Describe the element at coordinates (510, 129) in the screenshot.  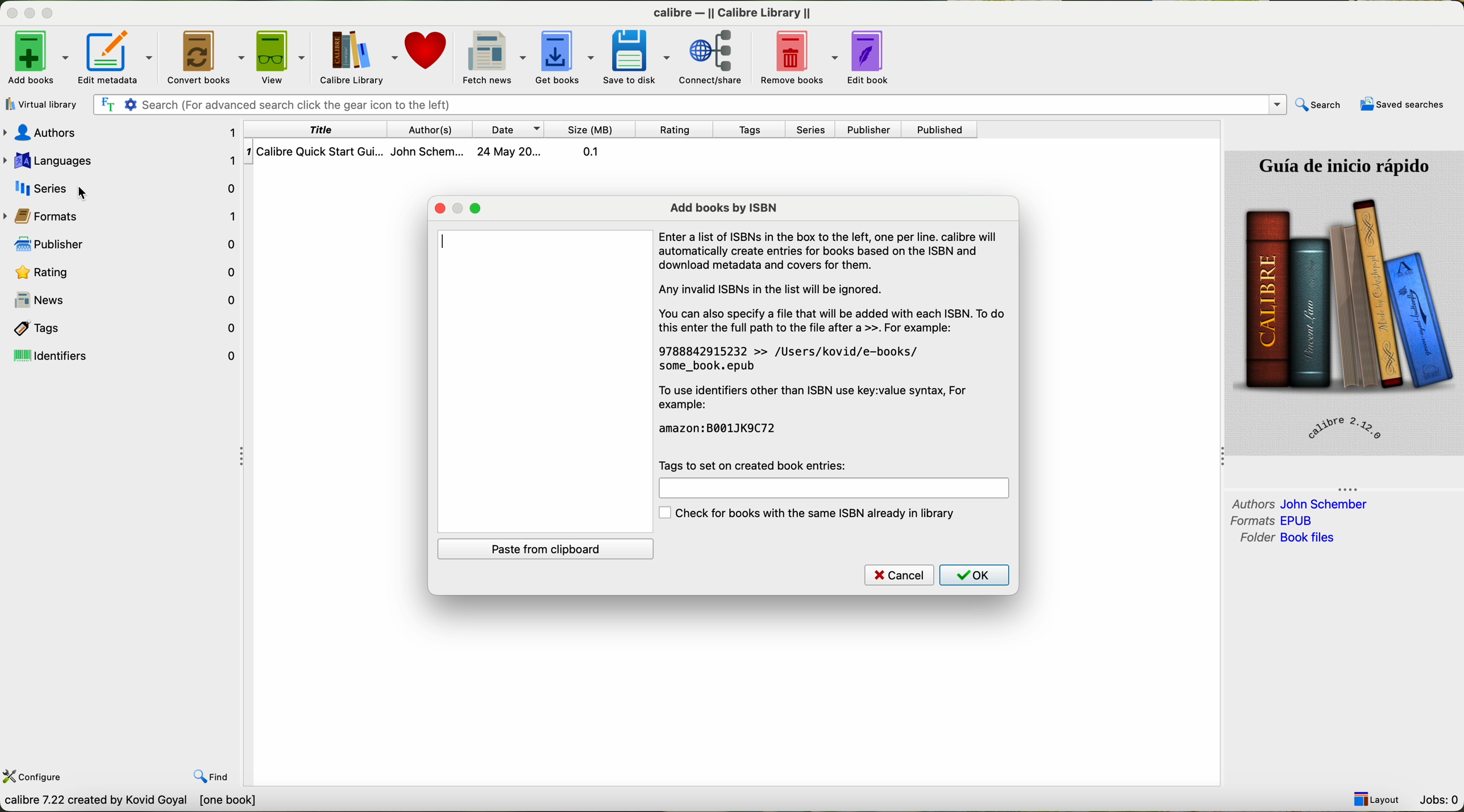
I see `date` at that location.